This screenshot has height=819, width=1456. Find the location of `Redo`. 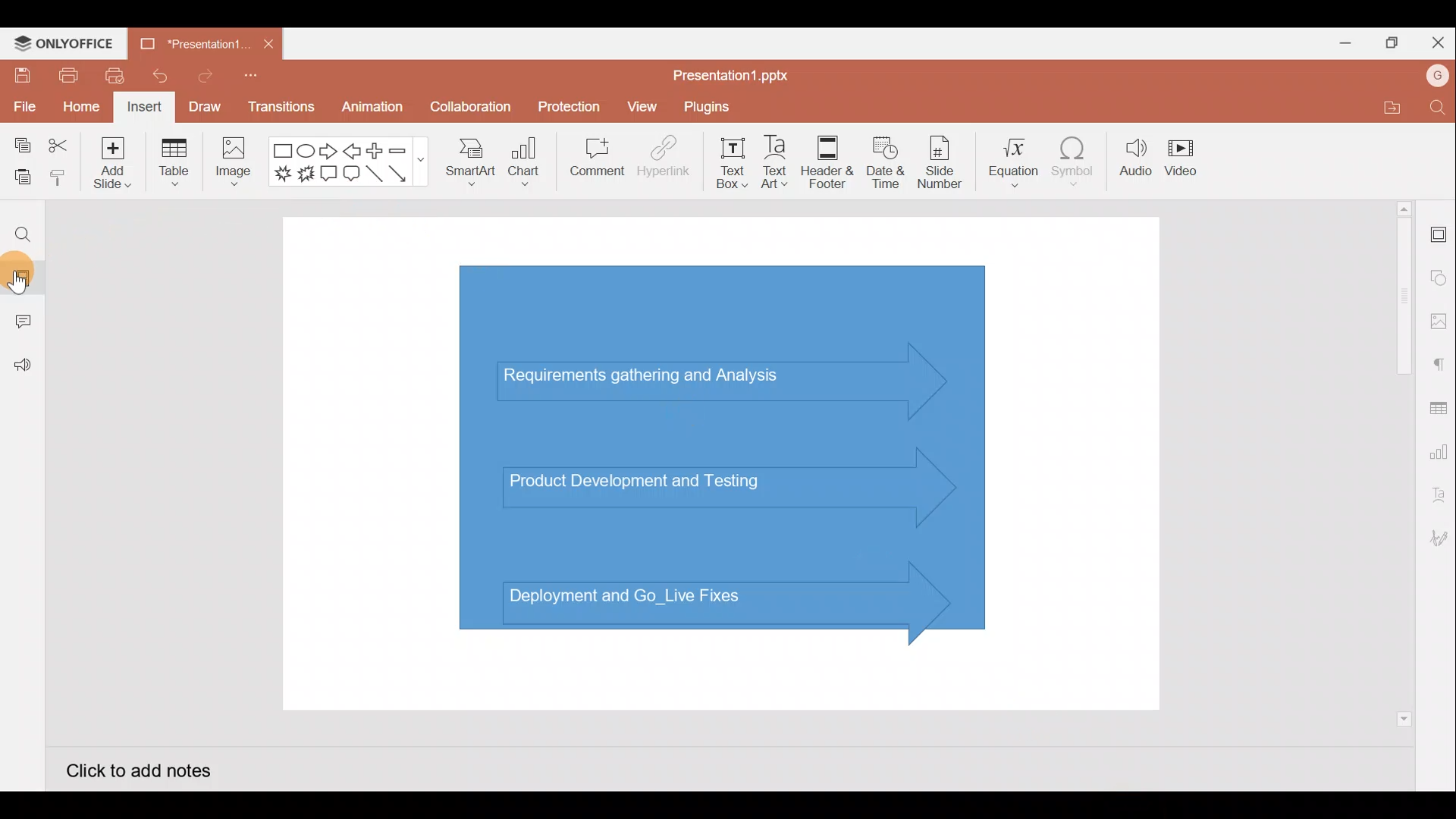

Redo is located at coordinates (201, 80).